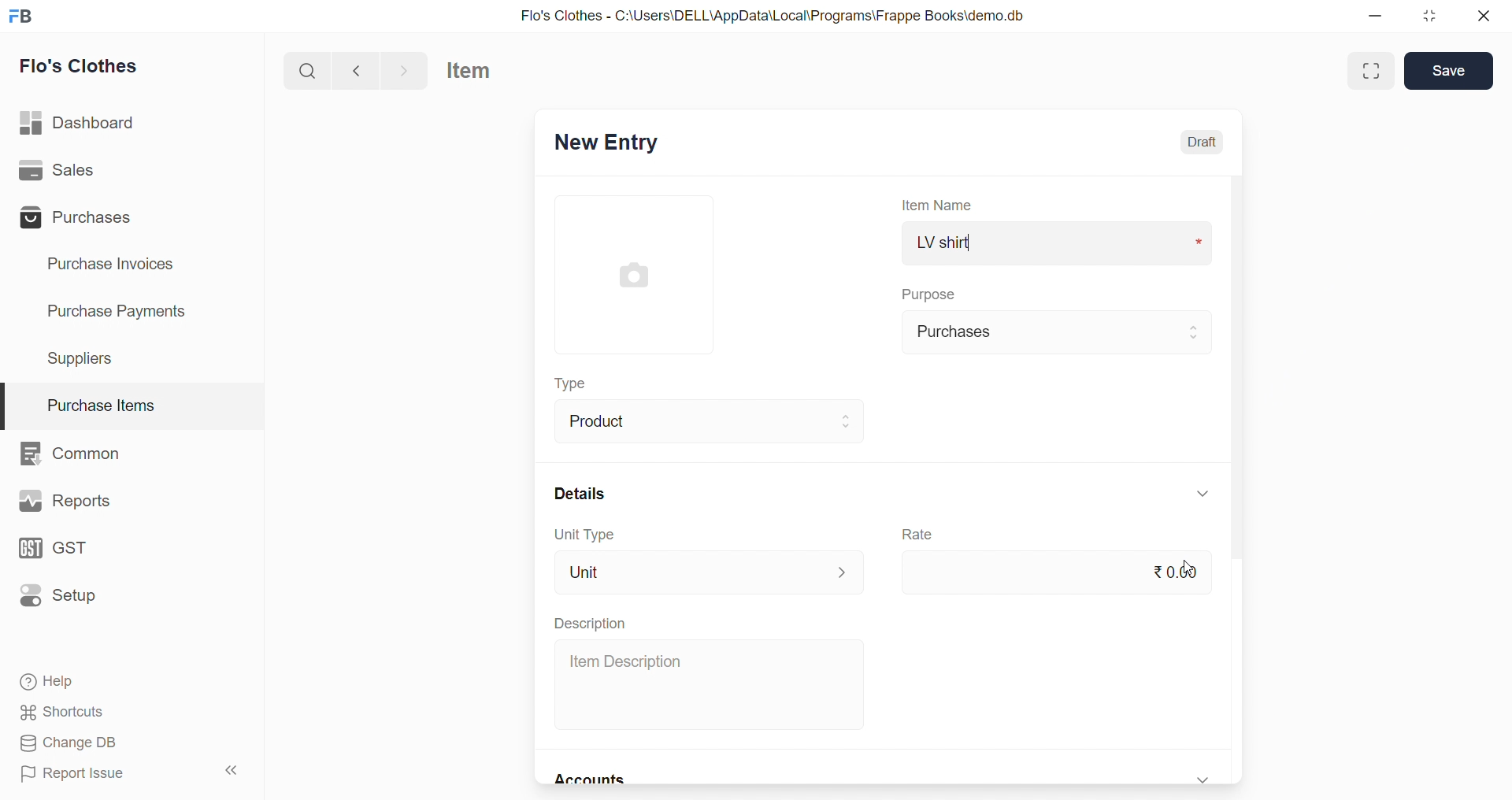 This screenshot has height=800, width=1512. Describe the element at coordinates (589, 623) in the screenshot. I see `Description` at that location.